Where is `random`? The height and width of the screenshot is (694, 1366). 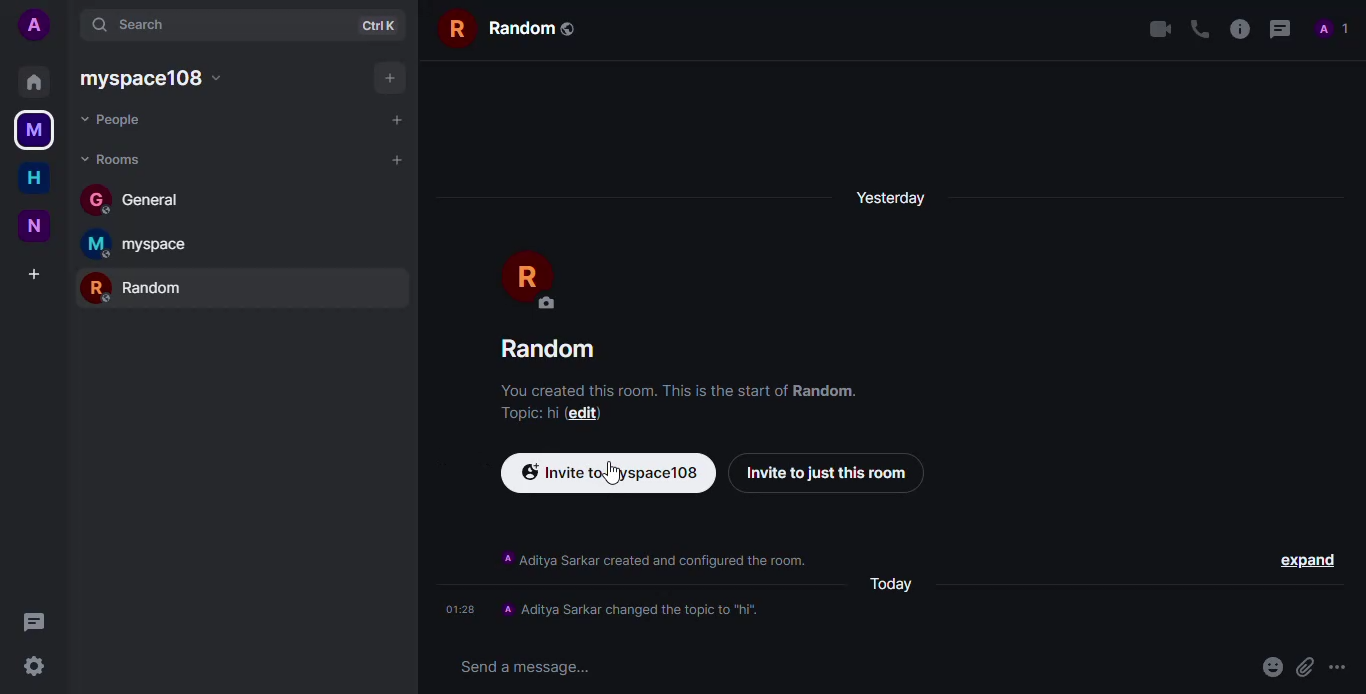 random is located at coordinates (548, 348).